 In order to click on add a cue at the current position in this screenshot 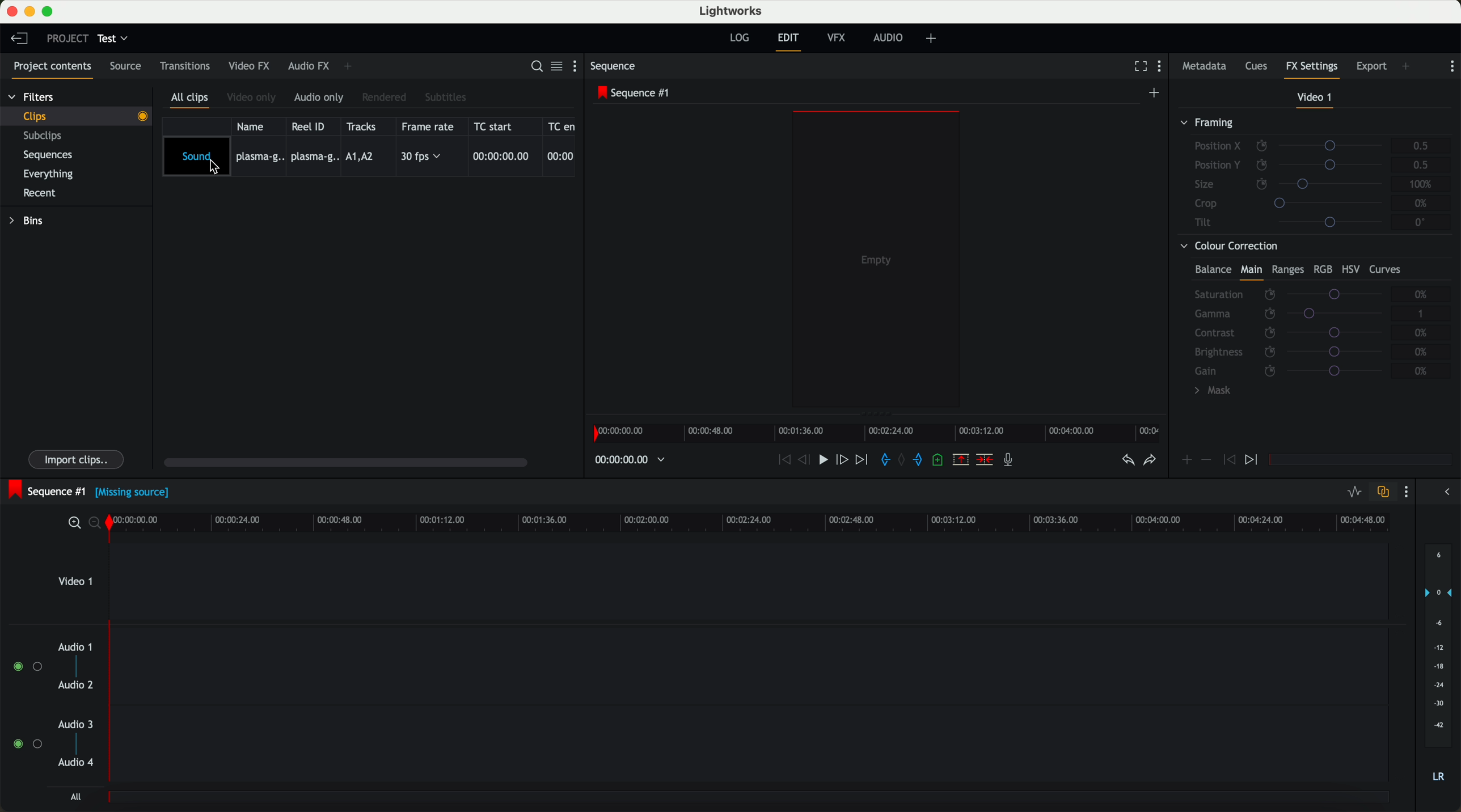, I will do `click(941, 462)`.